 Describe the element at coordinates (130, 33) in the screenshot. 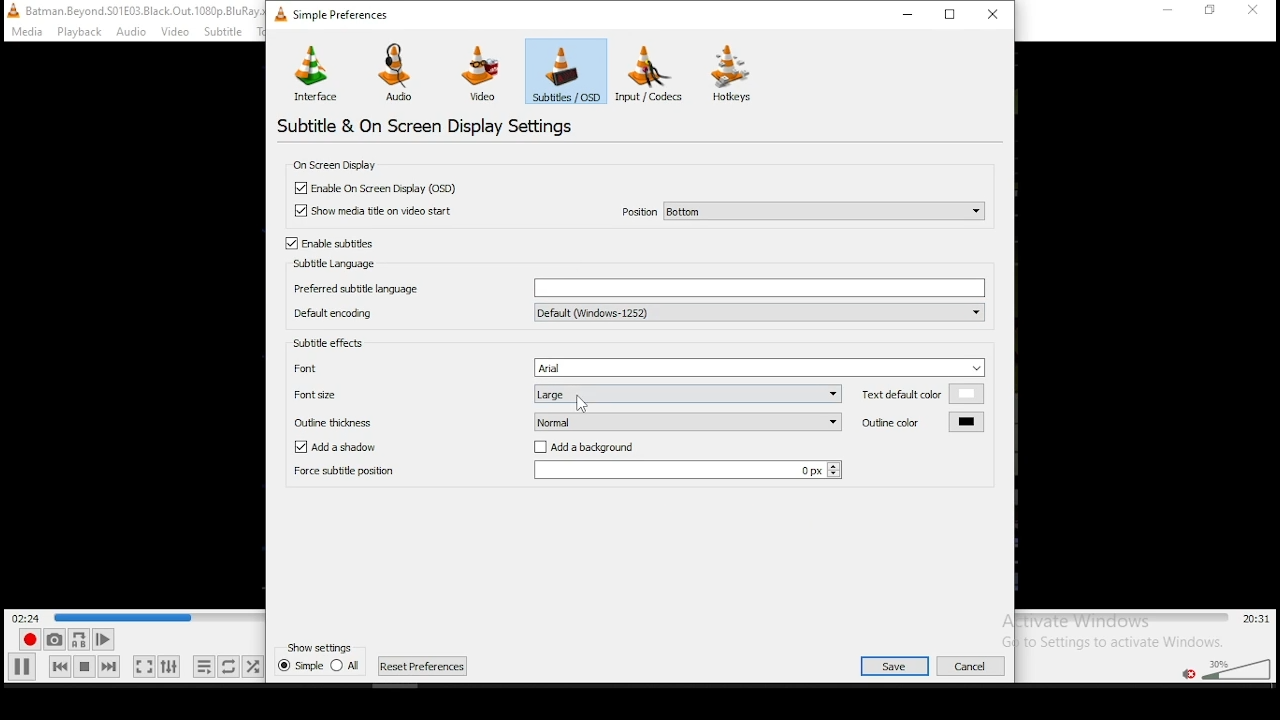

I see `audio` at that location.